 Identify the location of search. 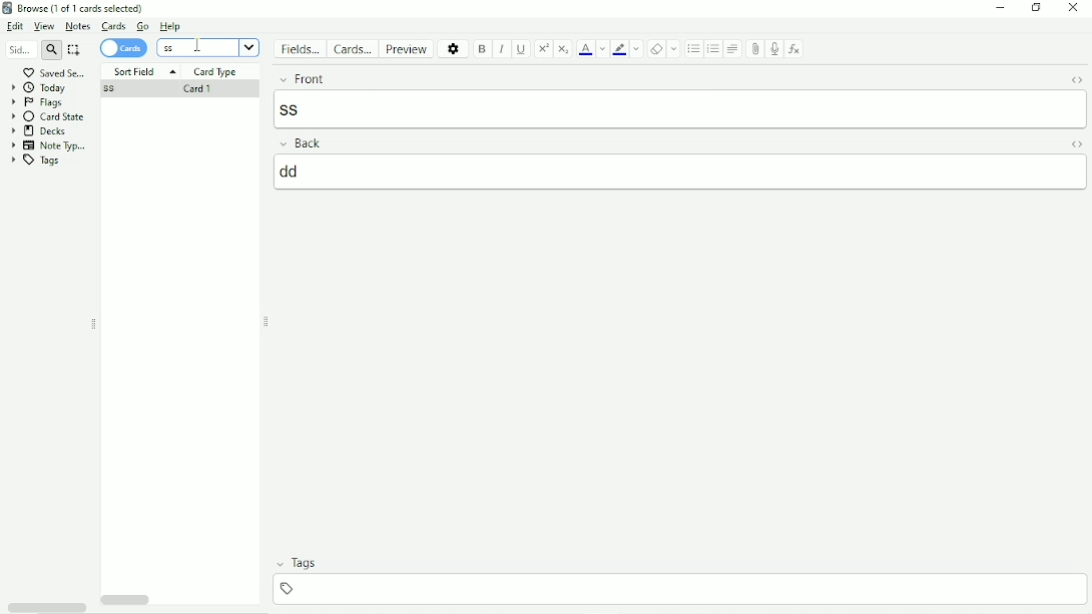
(52, 52).